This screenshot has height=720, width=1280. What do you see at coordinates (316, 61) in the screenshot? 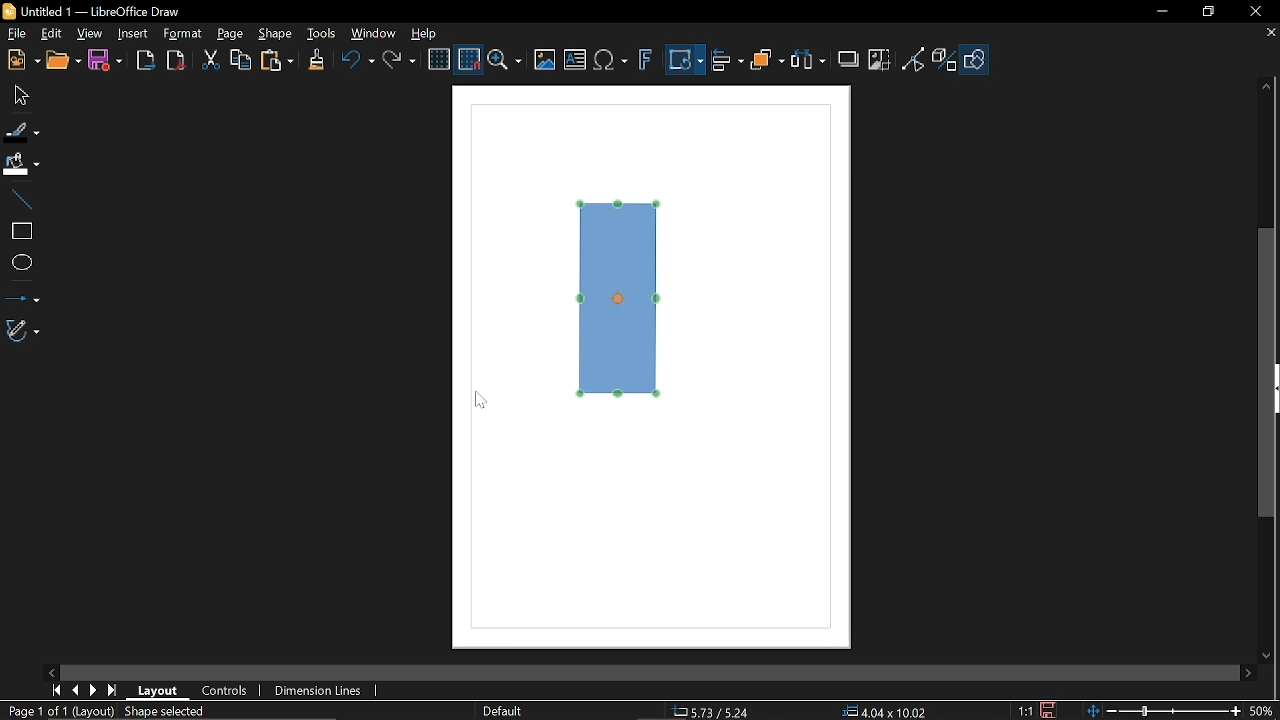
I see `Clone` at bounding box center [316, 61].